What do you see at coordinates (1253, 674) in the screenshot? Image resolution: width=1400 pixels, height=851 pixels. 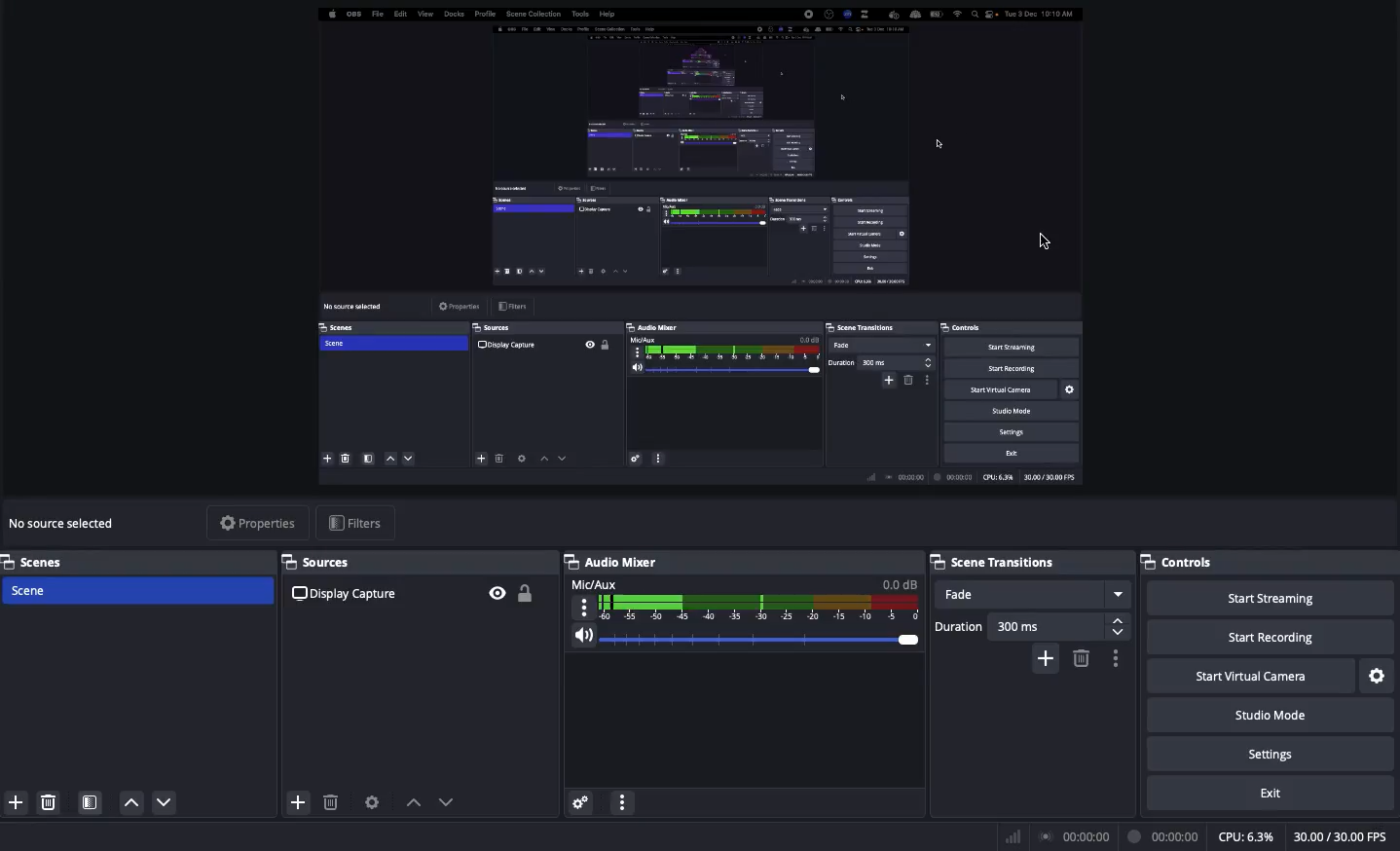 I see `Start virtual camera` at bounding box center [1253, 674].